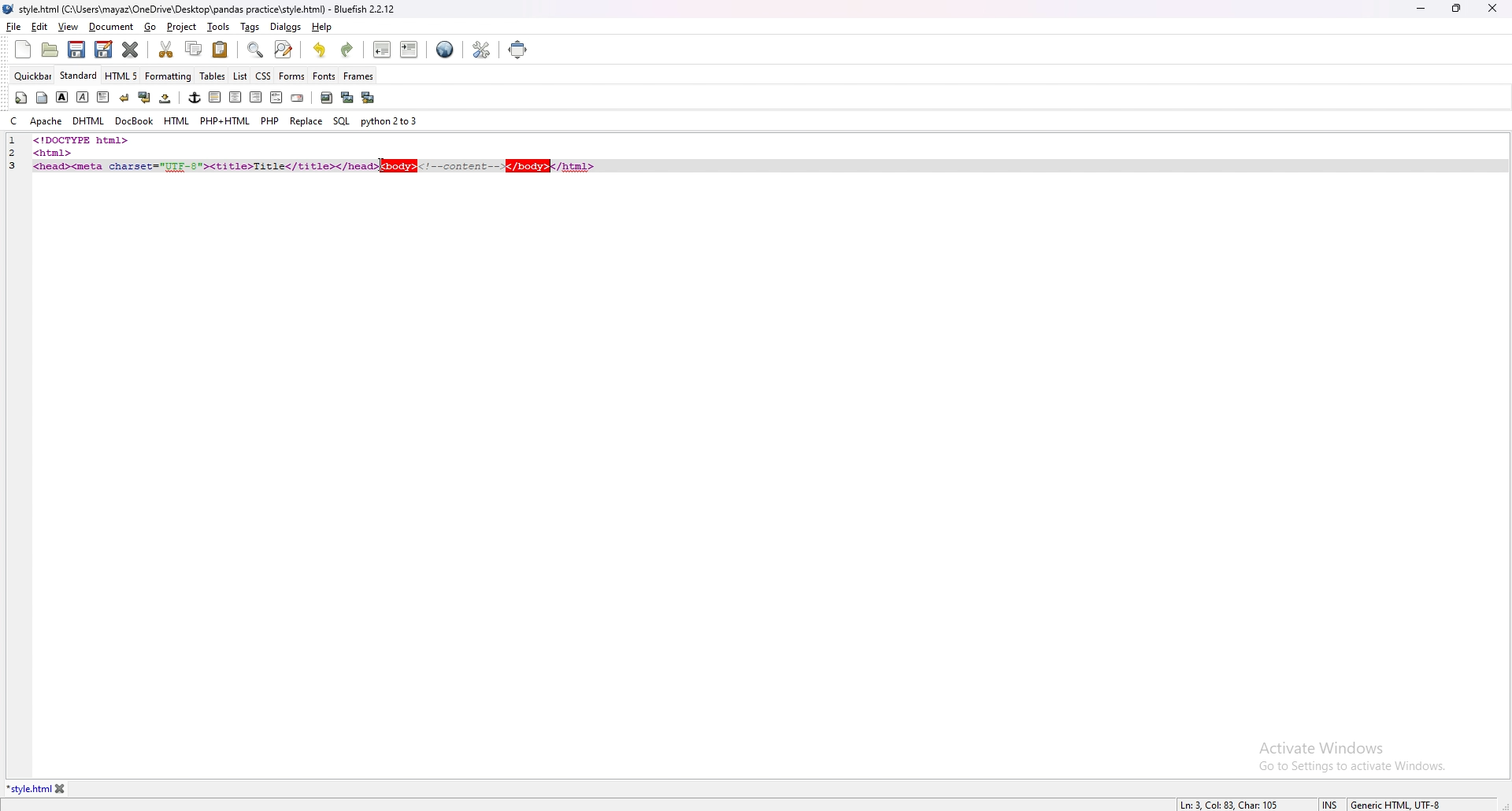 This screenshot has width=1512, height=811. Describe the element at coordinates (62, 97) in the screenshot. I see `bold` at that location.